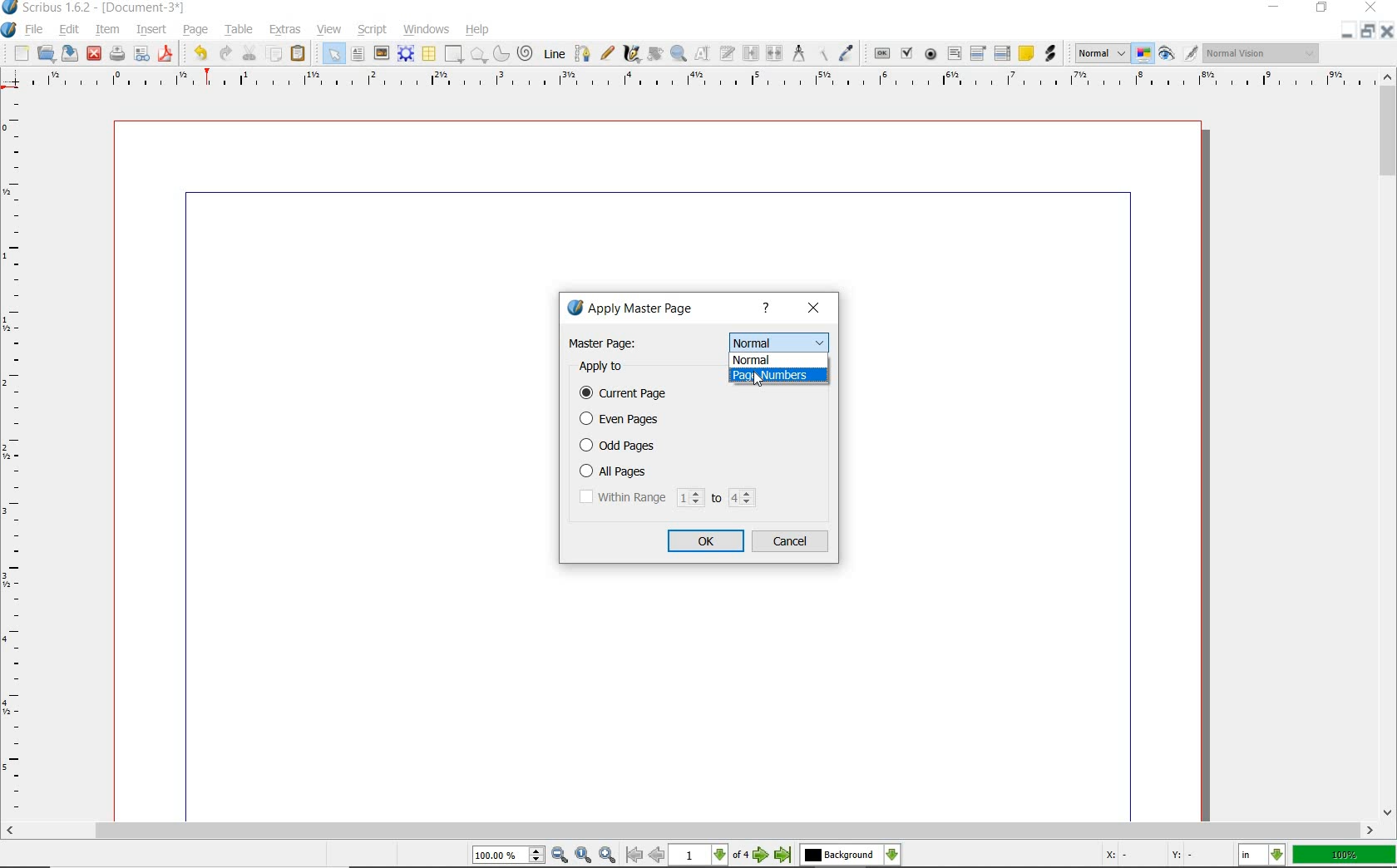  Describe the element at coordinates (955, 52) in the screenshot. I see `pdf text field` at that location.